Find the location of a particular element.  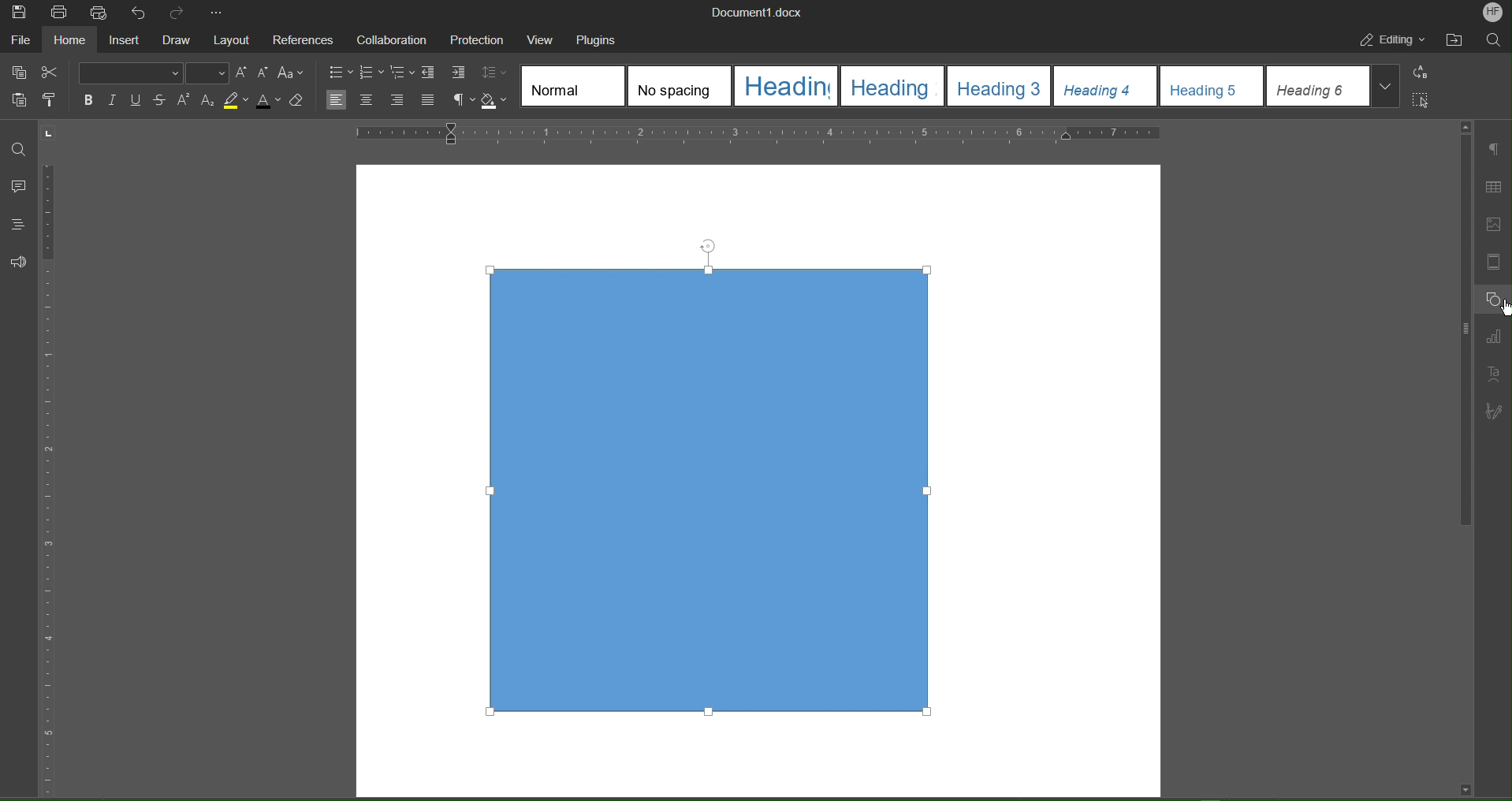

Layout is located at coordinates (234, 38).